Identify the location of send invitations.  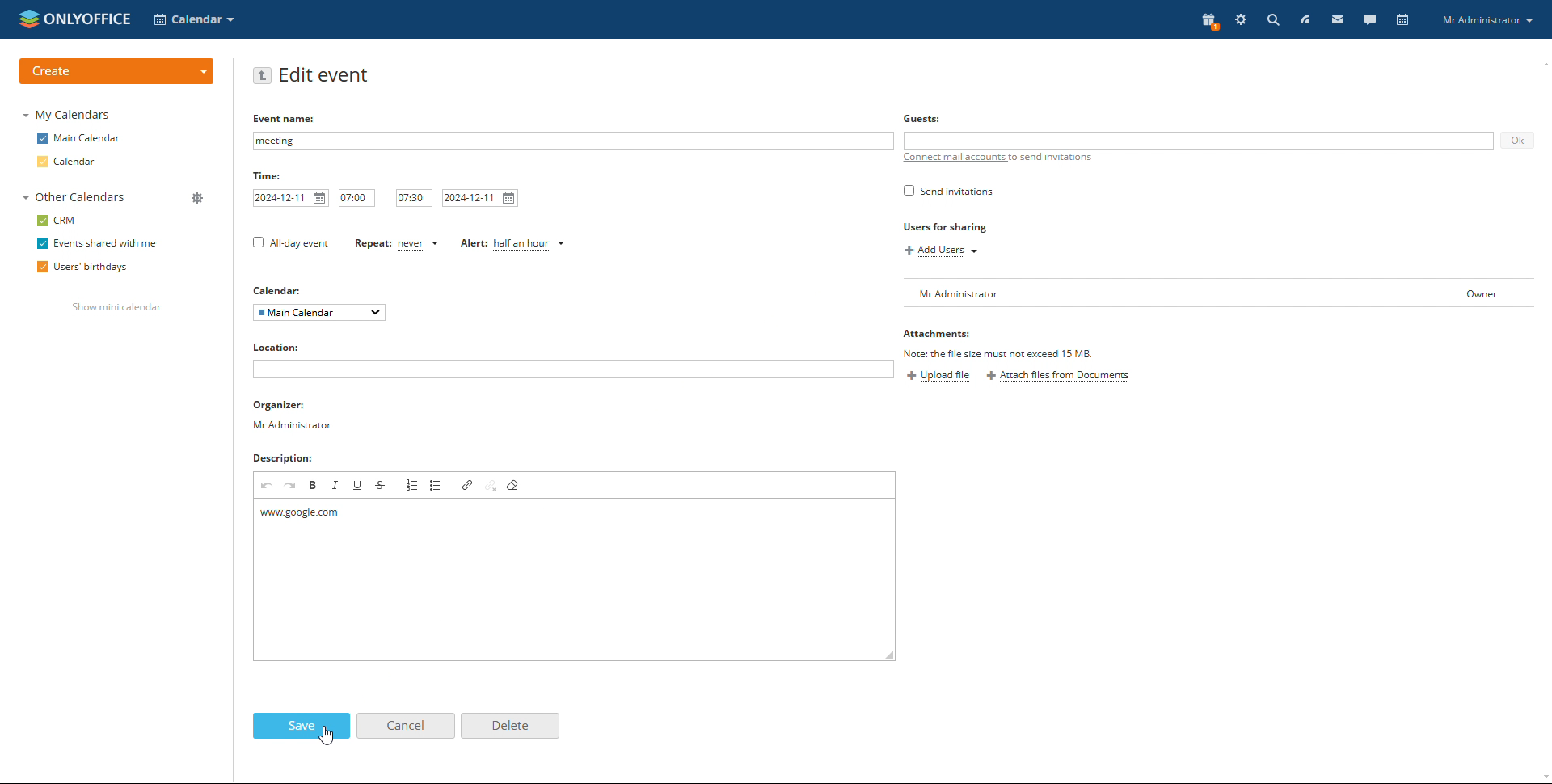
(949, 191).